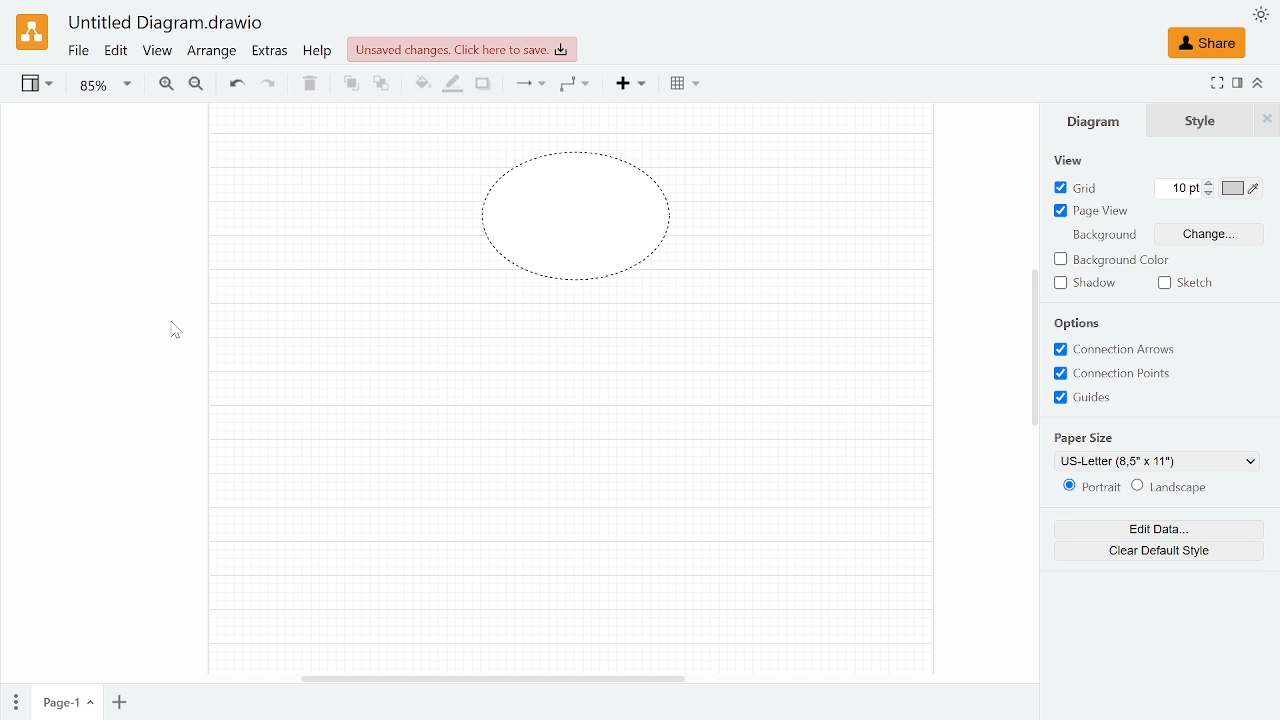  Describe the element at coordinates (1240, 189) in the screenshot. I see `Grid color` at that location.